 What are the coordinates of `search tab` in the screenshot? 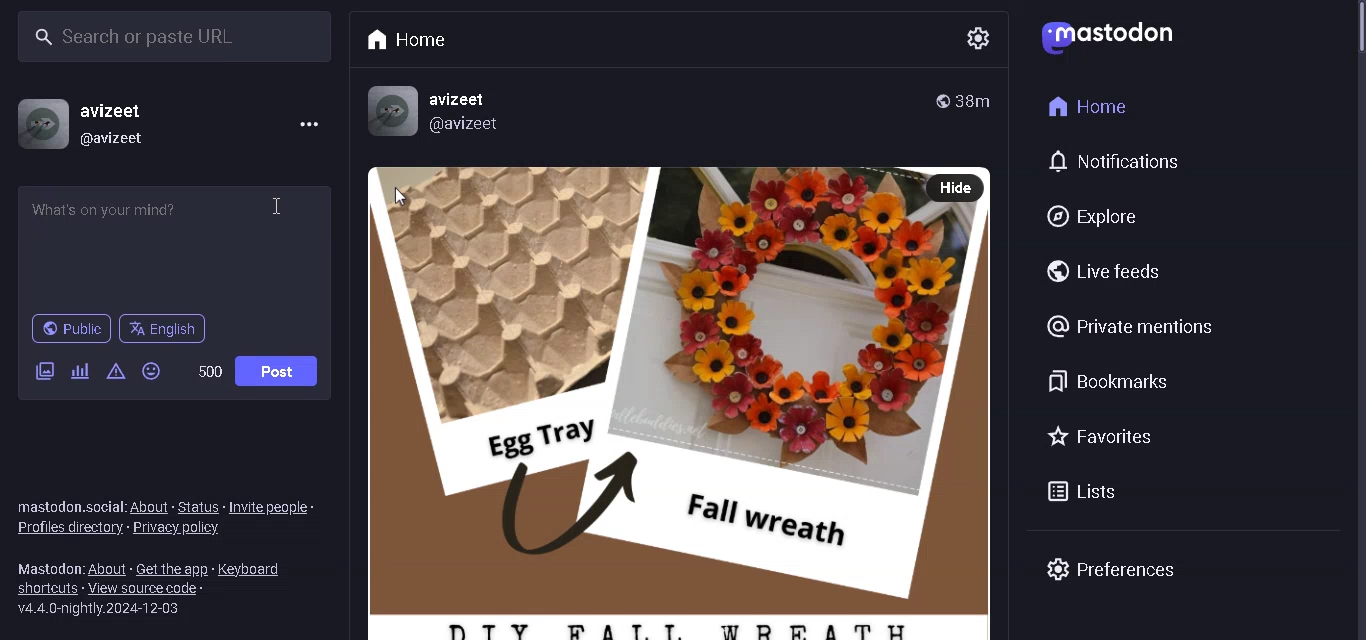 It's located at (168, 39).